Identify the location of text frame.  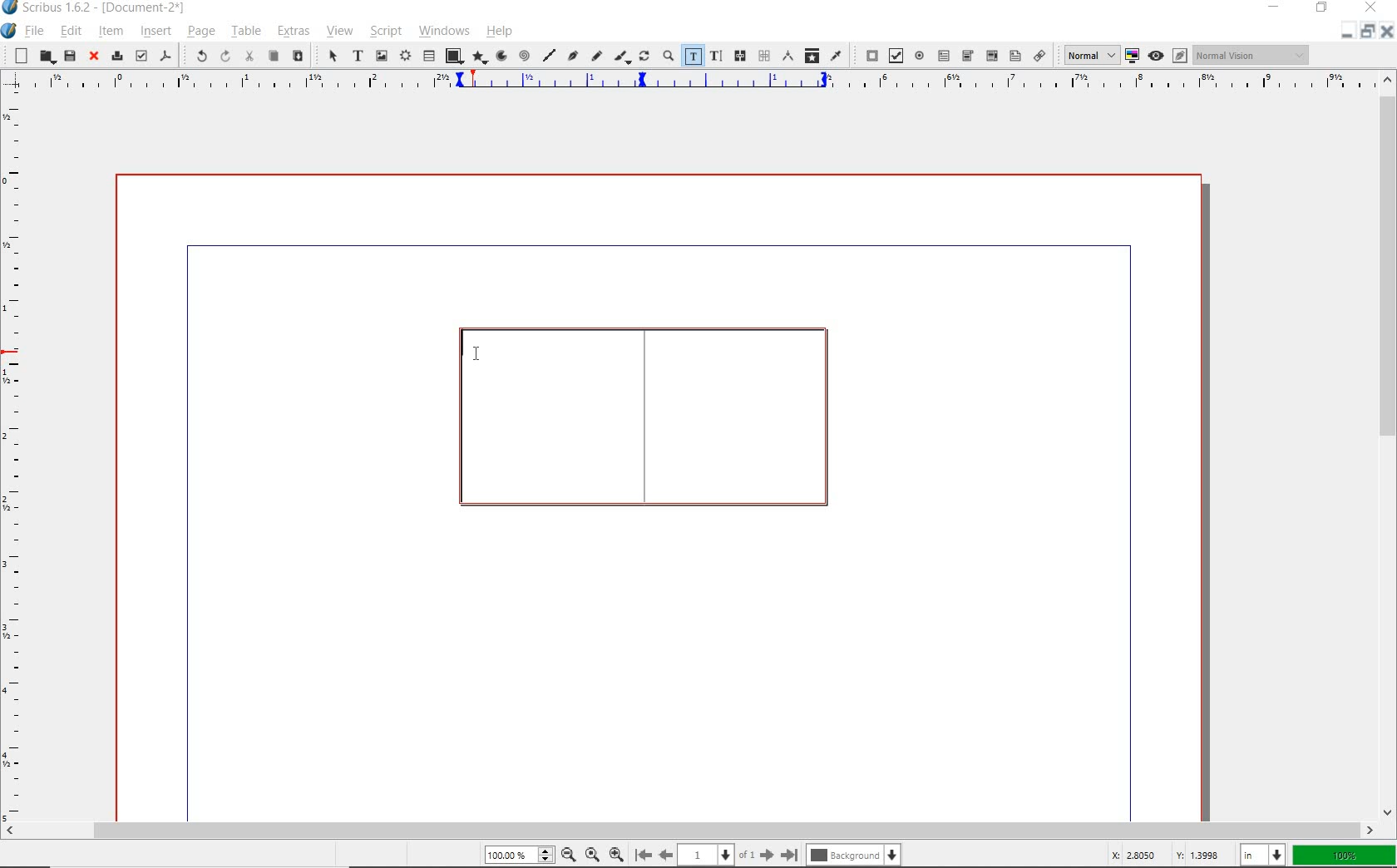
(643, 417).